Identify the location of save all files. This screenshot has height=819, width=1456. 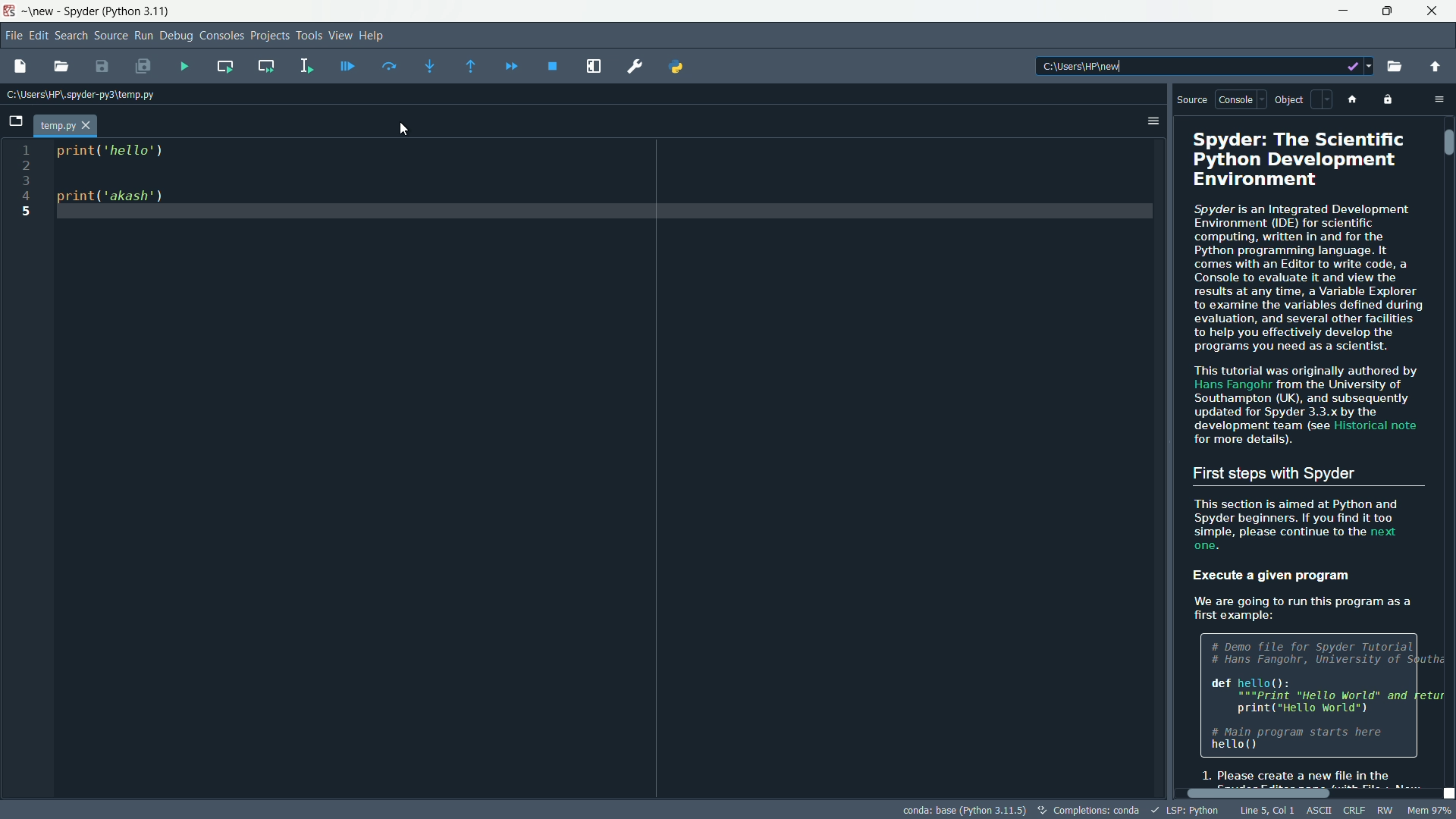
(146, 67).